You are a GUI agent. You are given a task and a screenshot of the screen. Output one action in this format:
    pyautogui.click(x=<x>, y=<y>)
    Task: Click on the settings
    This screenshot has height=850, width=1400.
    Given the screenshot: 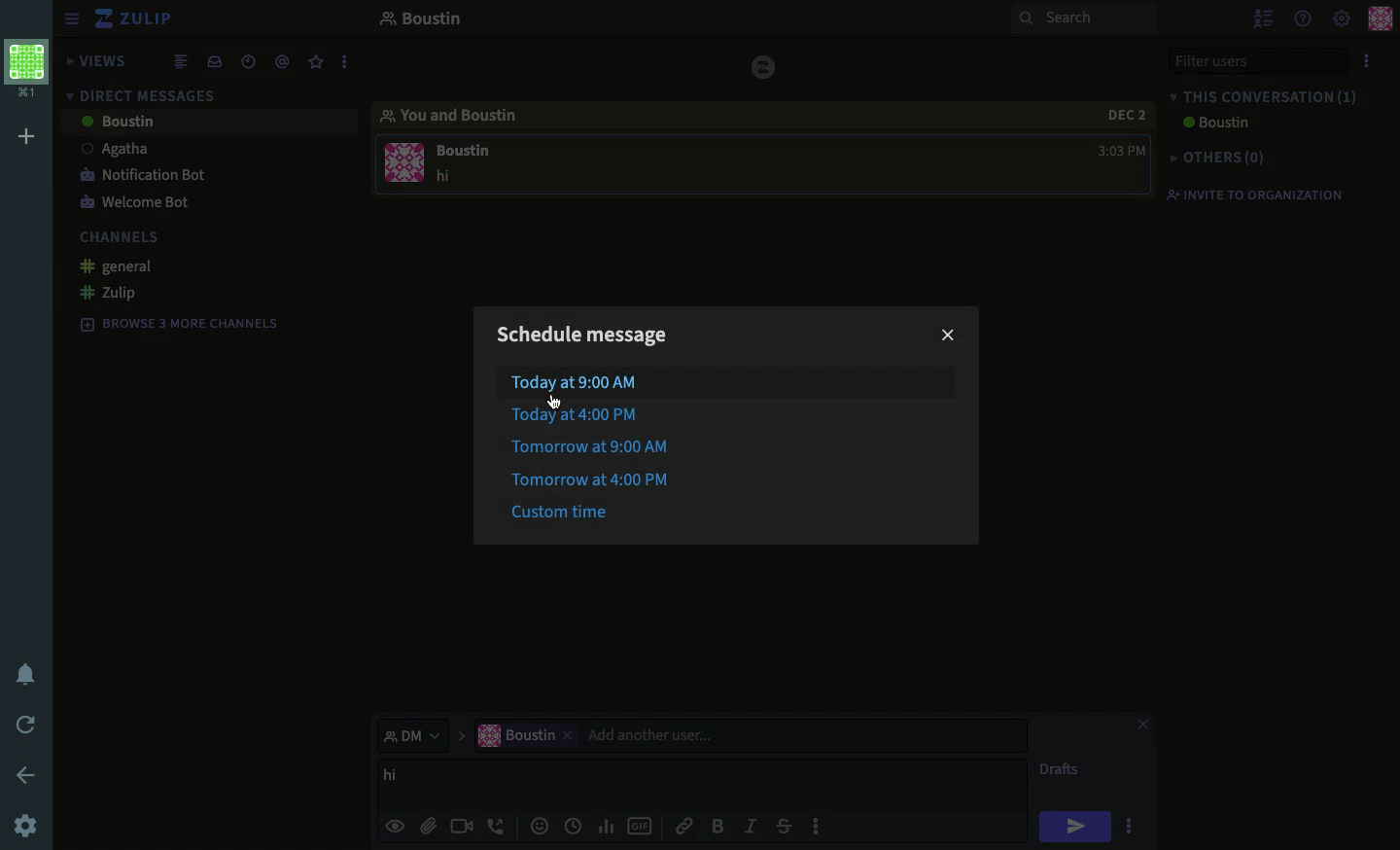 What is the action you would take?
    pyautogui.click(x=1342, y=19)
    